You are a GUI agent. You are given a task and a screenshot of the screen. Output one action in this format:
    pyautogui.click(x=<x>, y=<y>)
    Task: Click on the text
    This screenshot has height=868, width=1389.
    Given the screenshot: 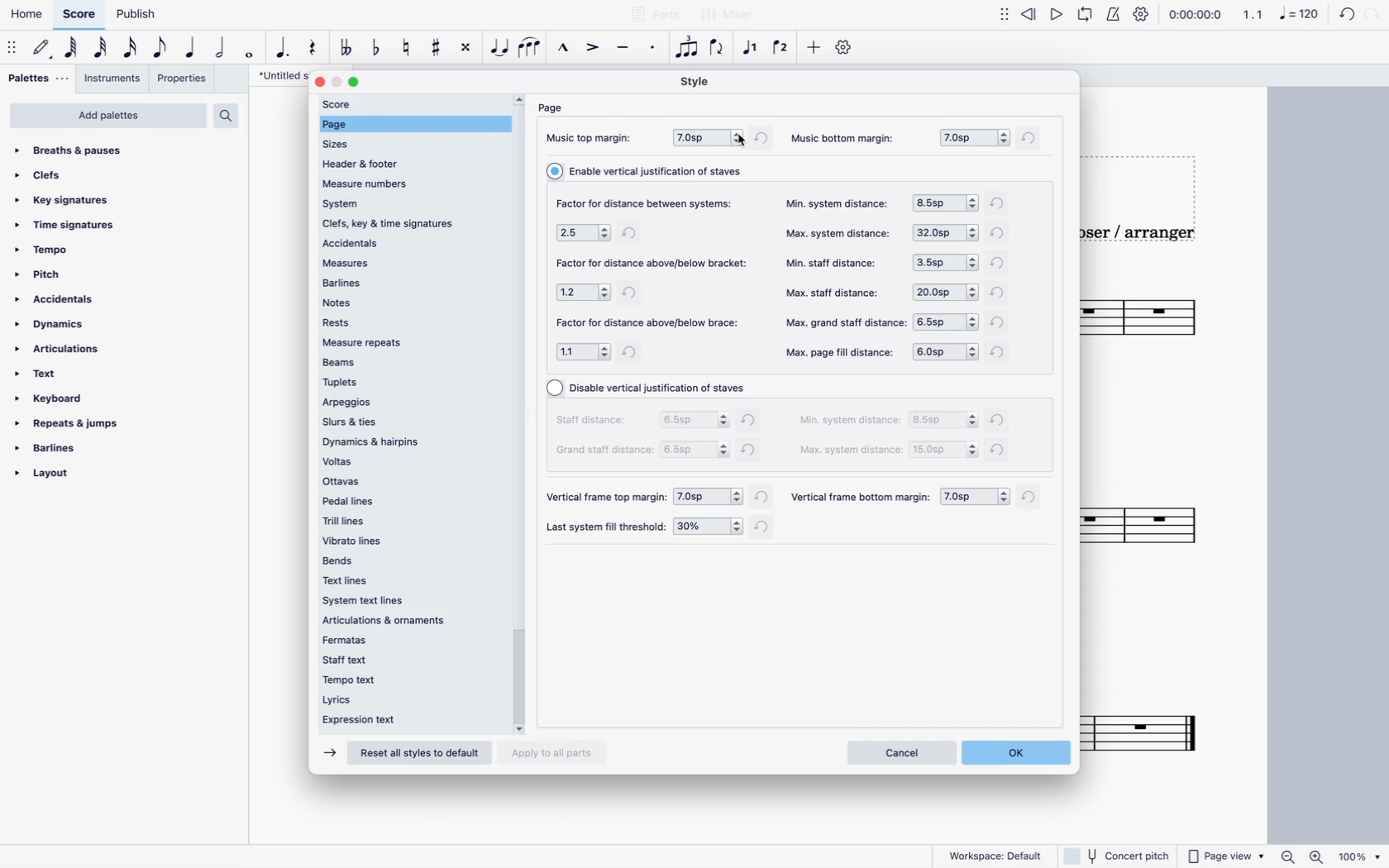 What is the action you would take?
    pyautogui.click(x=45, y=375)
    